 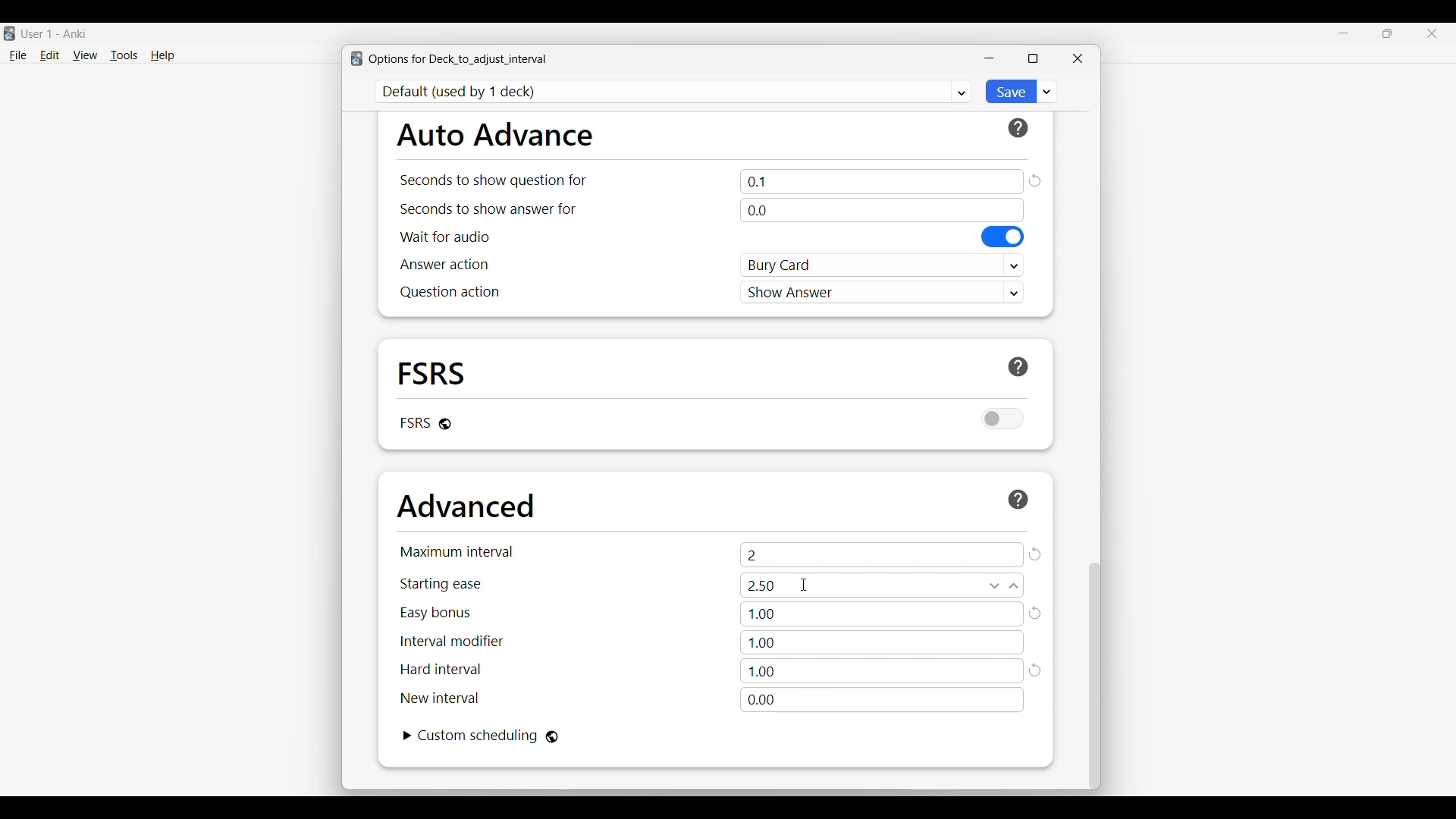 I want to click on Learn more about respective section, so click(x=1018, y=499).